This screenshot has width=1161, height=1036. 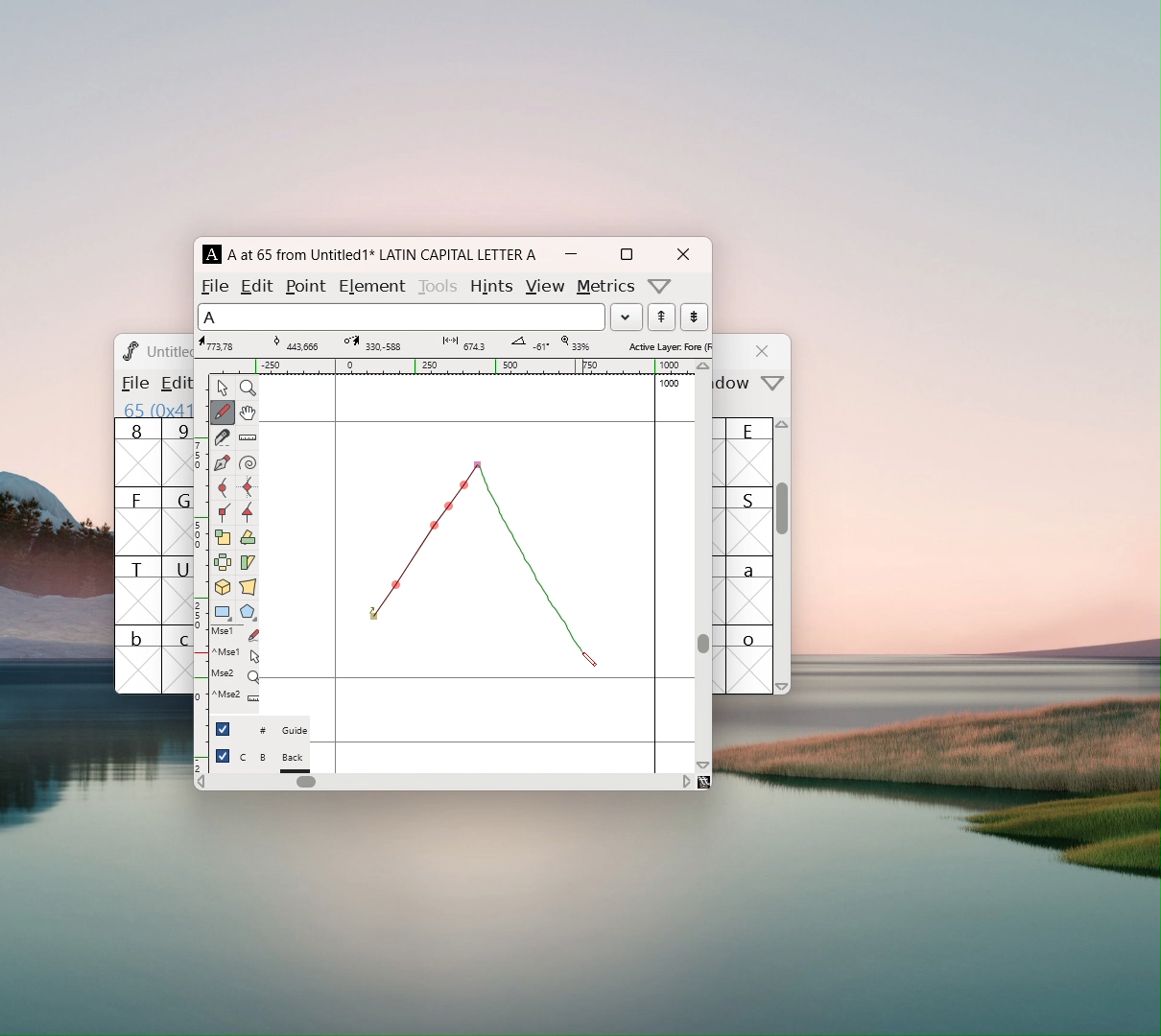 I want to click on U, so click(x=178, y=590).